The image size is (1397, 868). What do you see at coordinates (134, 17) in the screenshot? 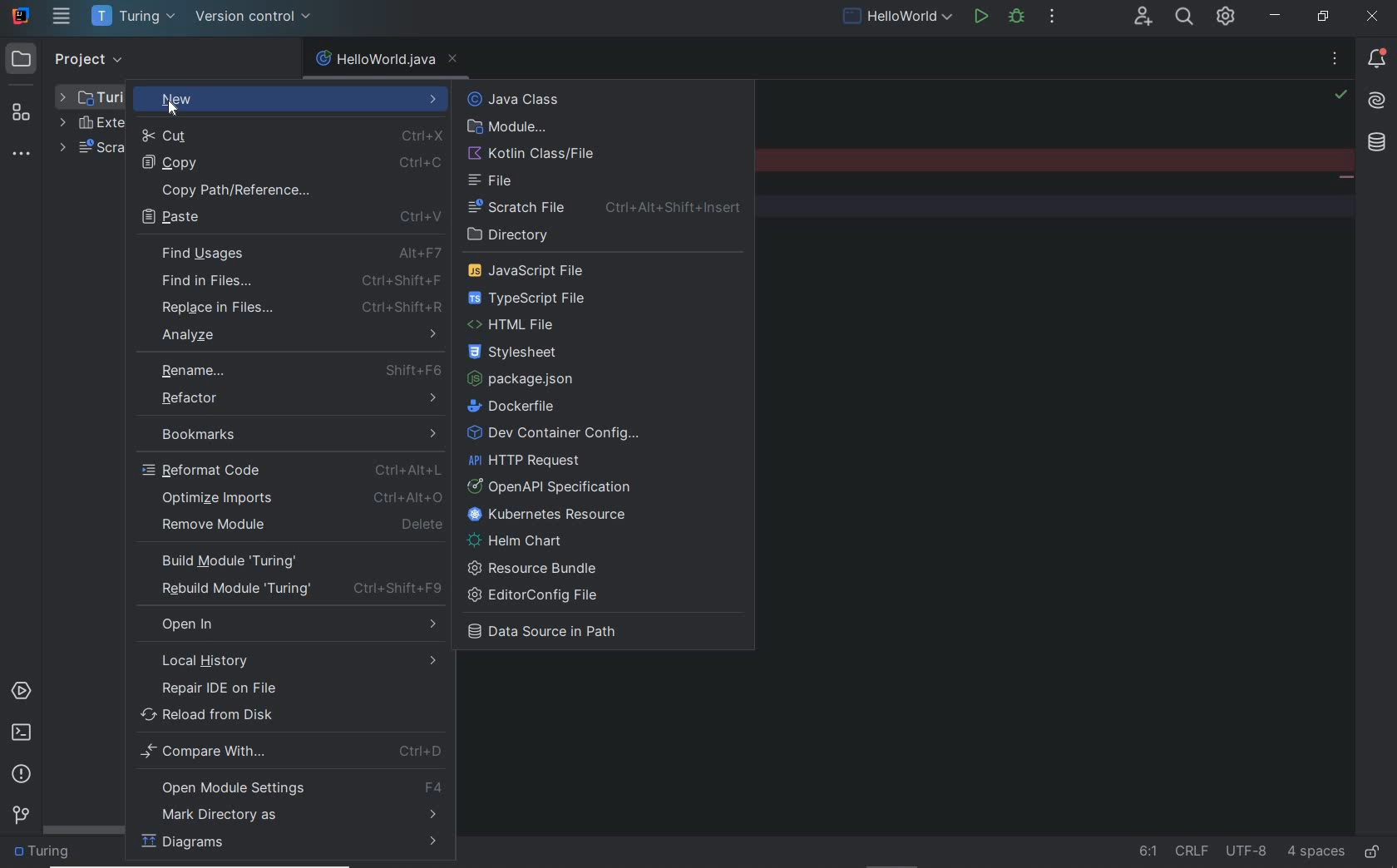
I see `project name` at bounding box center [134, 17].